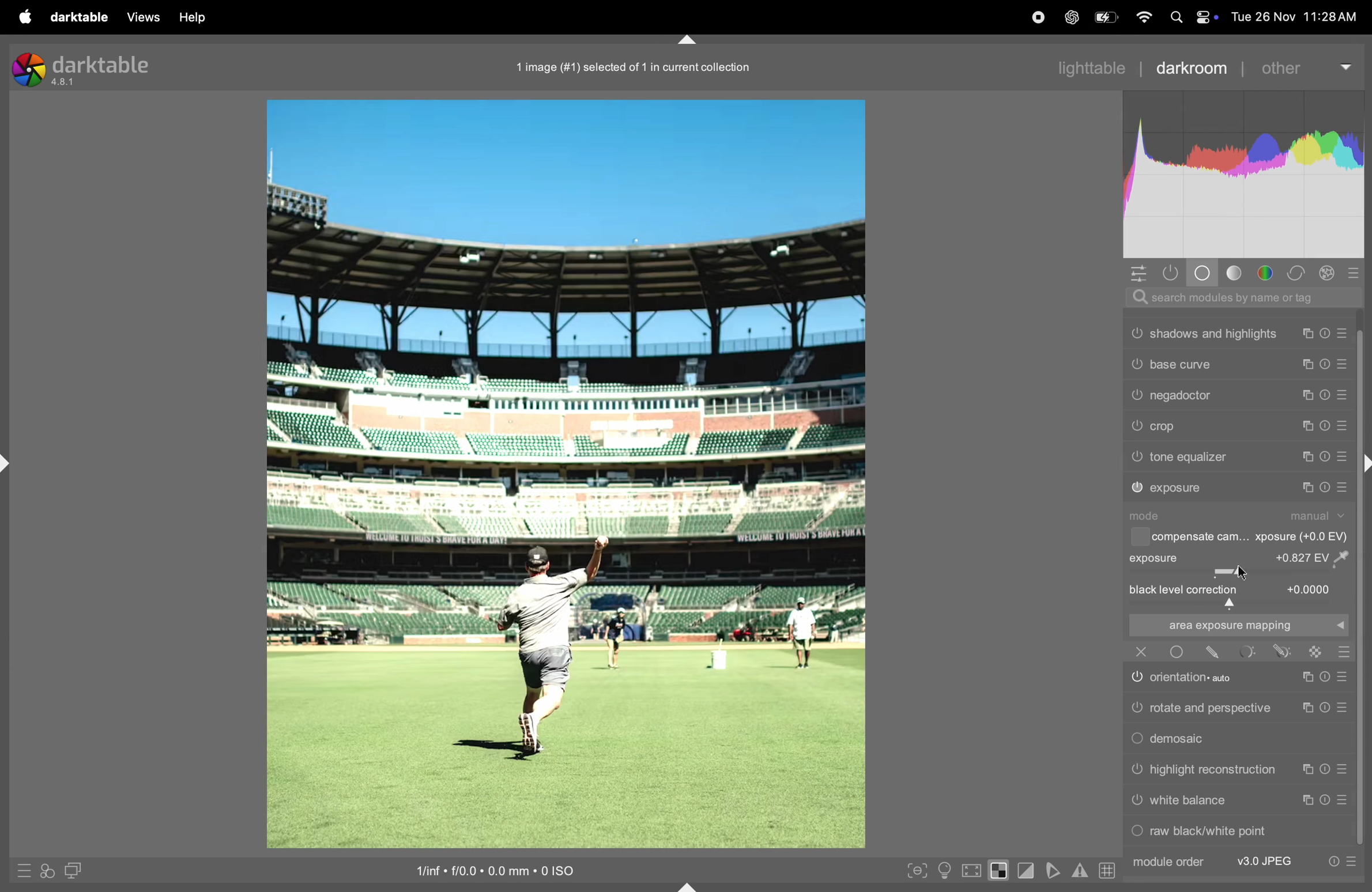  I want to click on crop, so click(1167, 427).